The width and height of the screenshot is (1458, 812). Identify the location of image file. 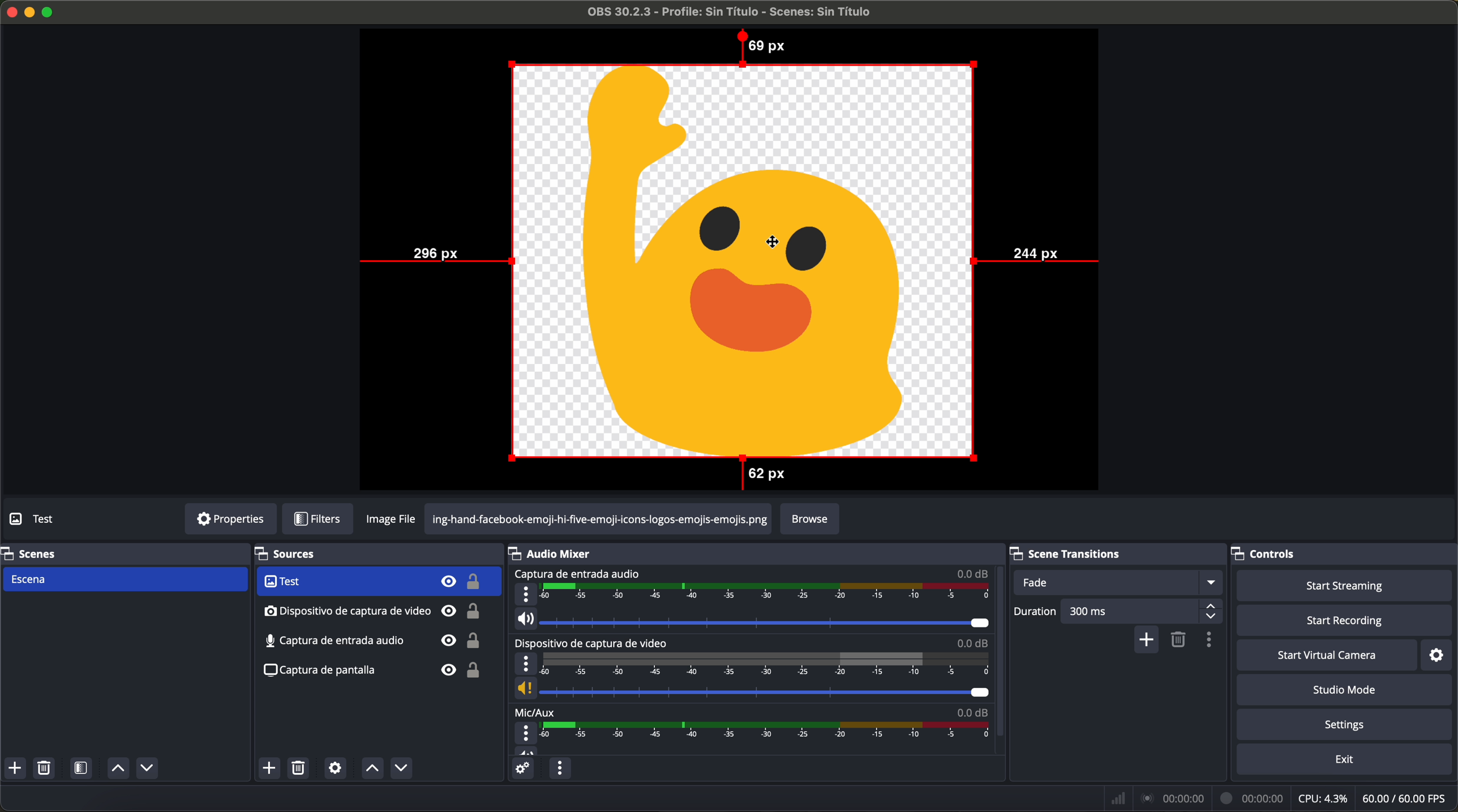
(393, 519).